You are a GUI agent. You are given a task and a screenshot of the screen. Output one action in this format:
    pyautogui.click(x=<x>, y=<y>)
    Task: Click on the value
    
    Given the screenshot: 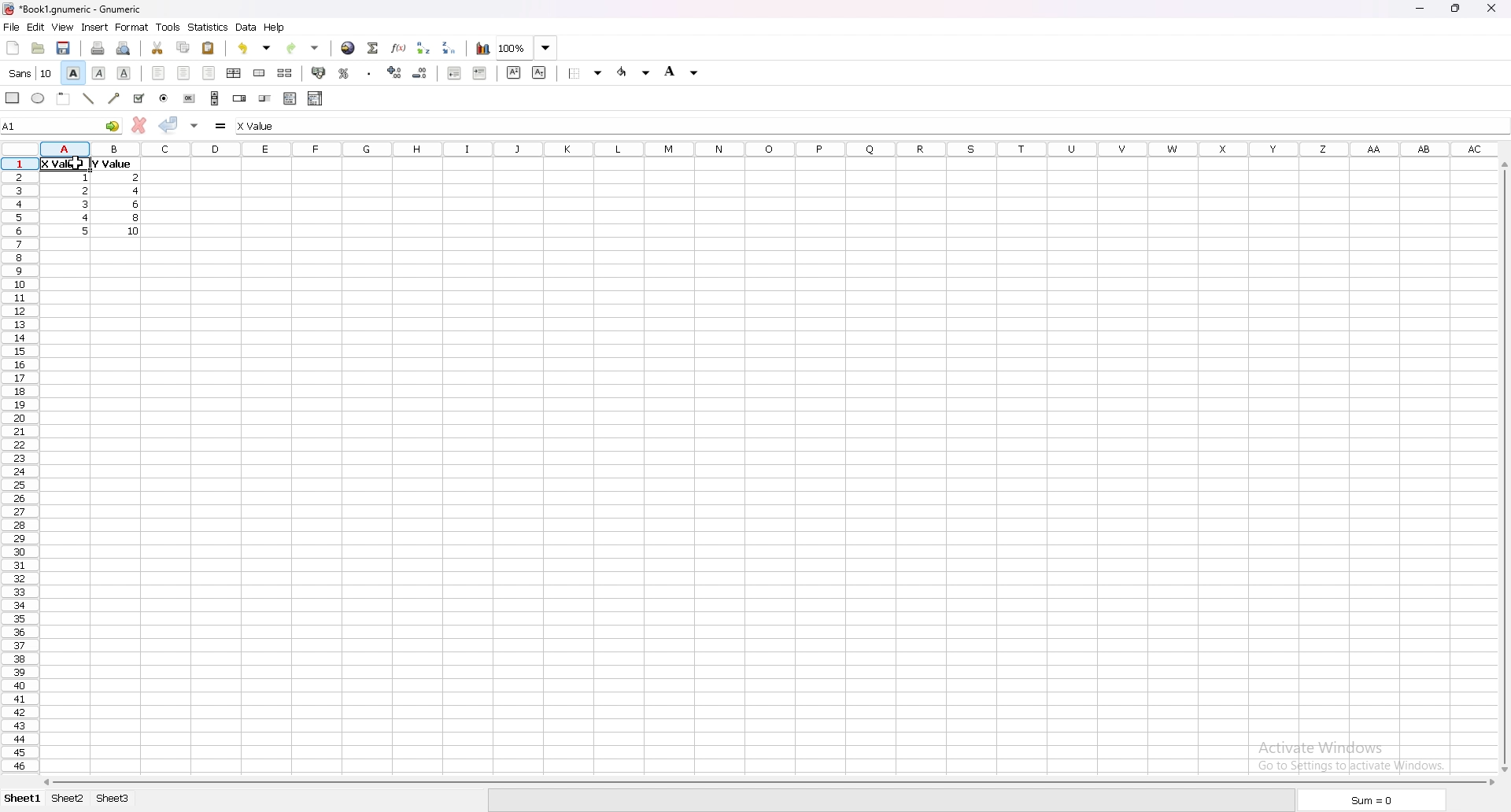 What is the action you would take?
    pyautogui.click(x=84, y=190)
    